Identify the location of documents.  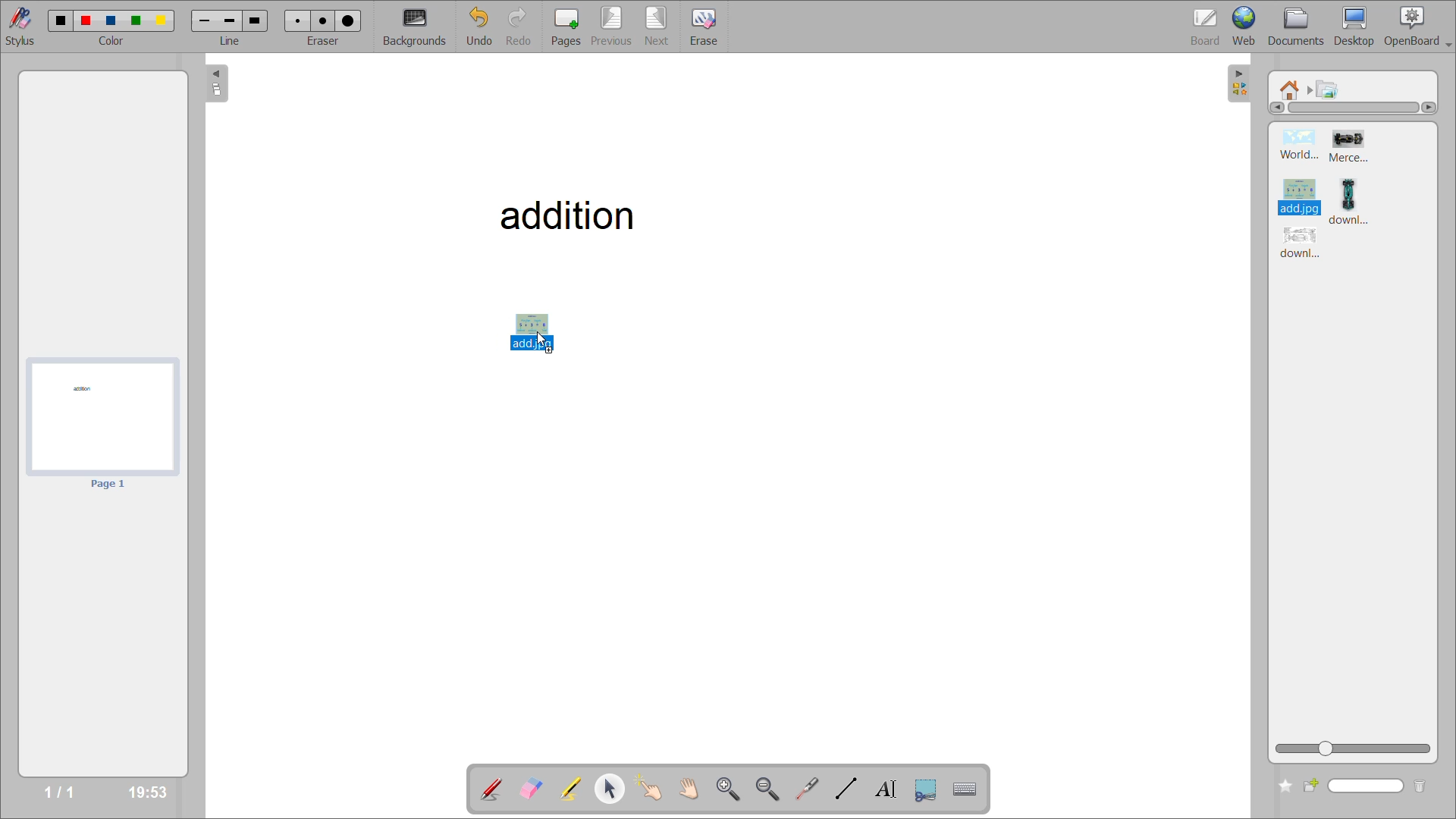
(1302, 27).